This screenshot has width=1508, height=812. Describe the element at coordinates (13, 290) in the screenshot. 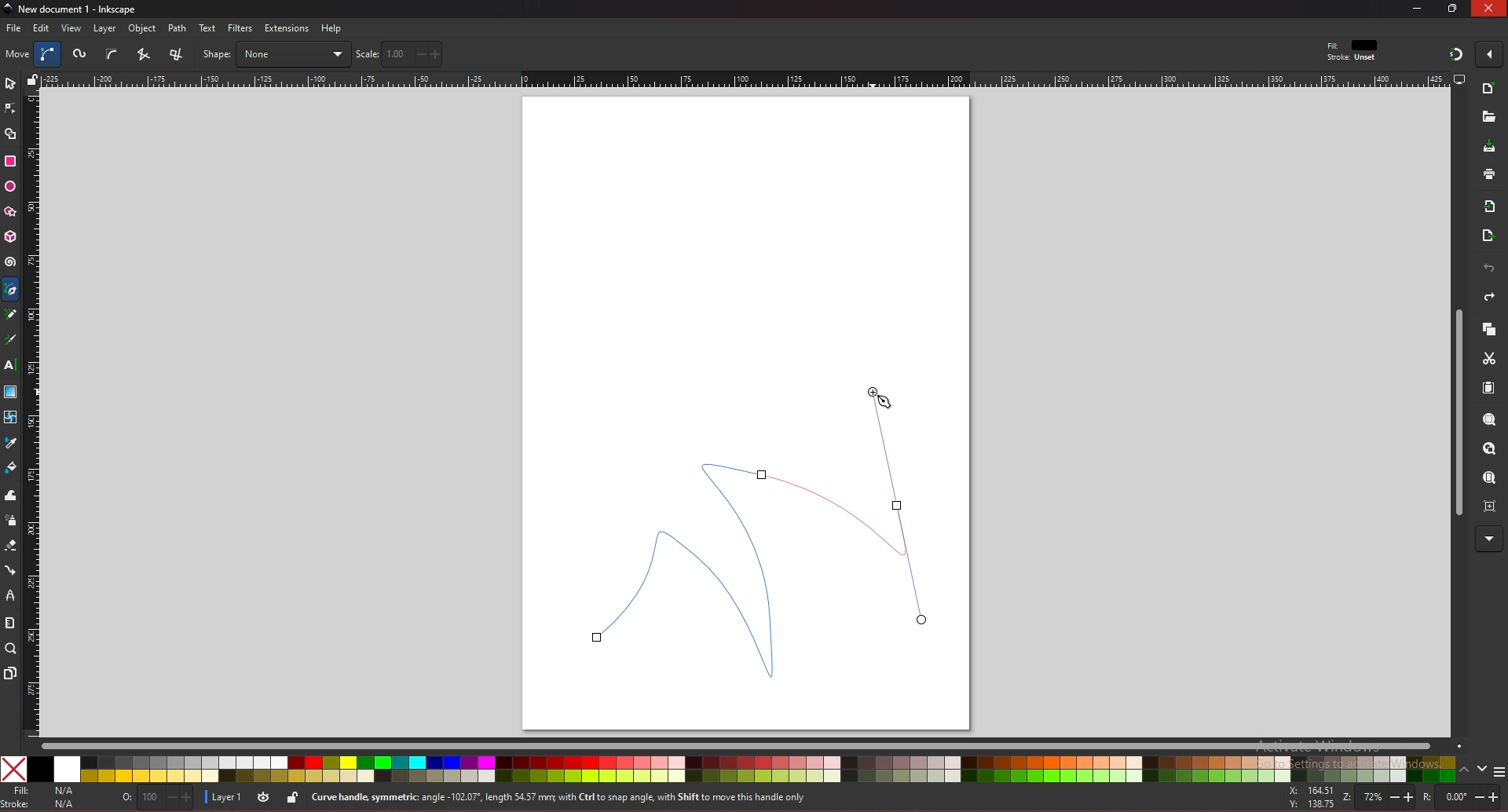

I see `pen` at that location.